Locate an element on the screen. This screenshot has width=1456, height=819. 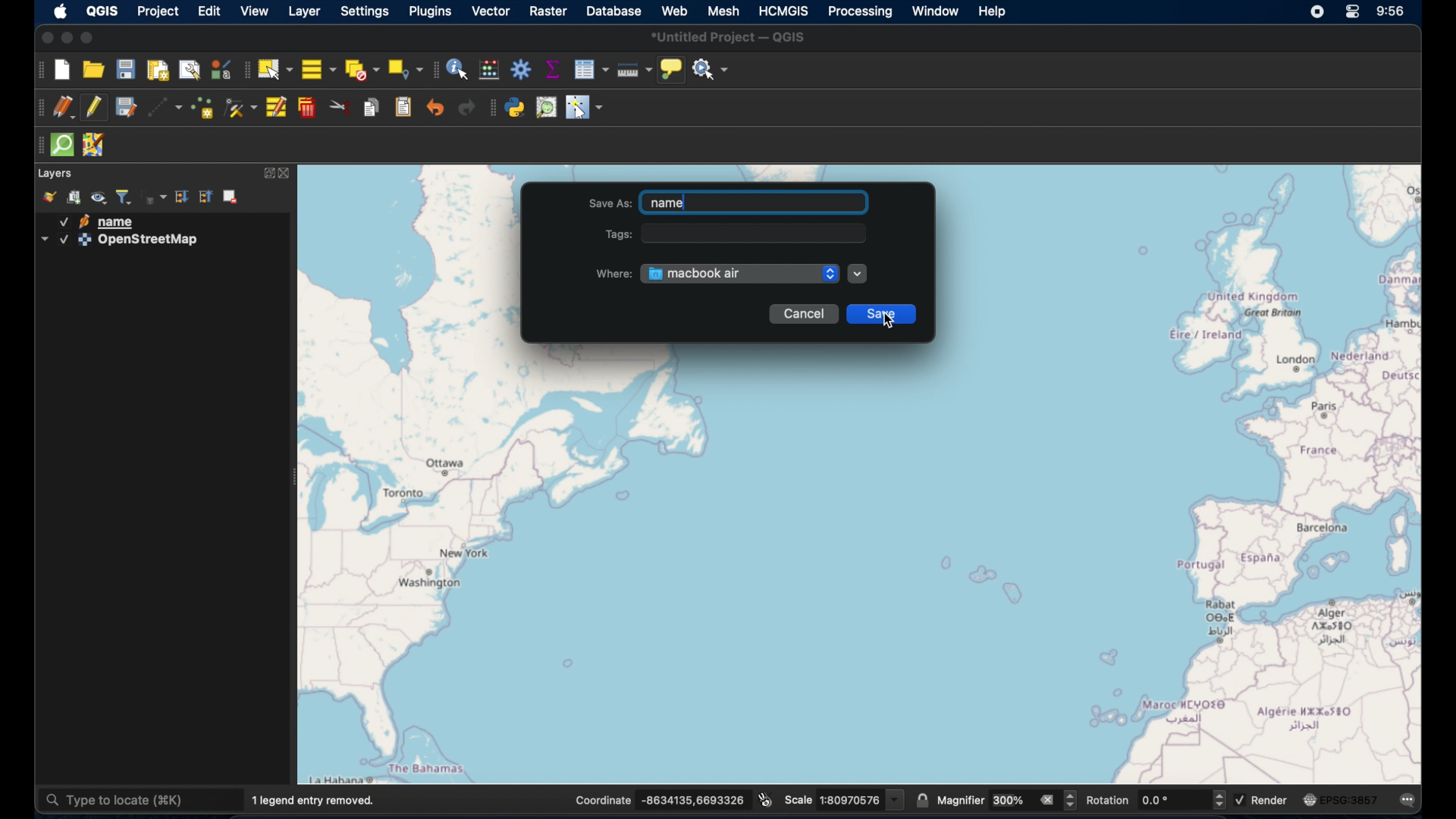
save project is located at coordinates (125, 70).